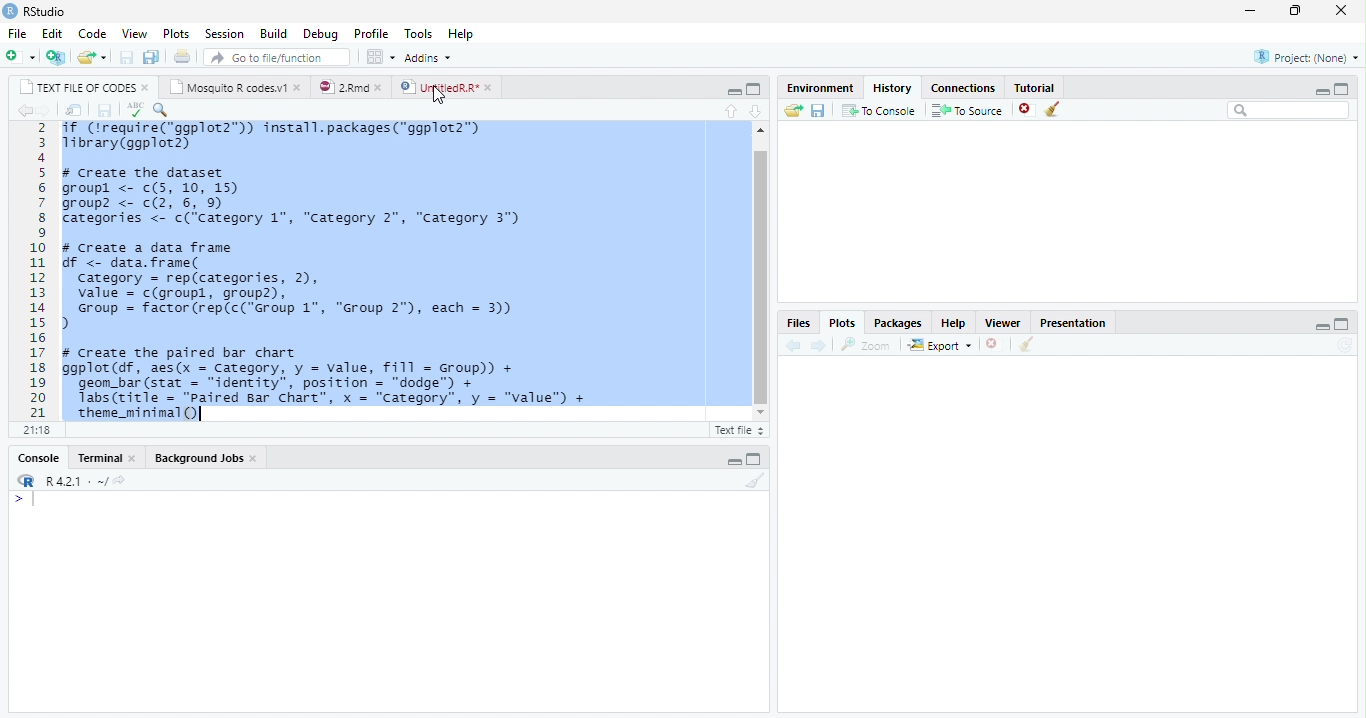 The height and width of the screenshot is (718, 1366). I want to click on maximize, so click(758, 90).